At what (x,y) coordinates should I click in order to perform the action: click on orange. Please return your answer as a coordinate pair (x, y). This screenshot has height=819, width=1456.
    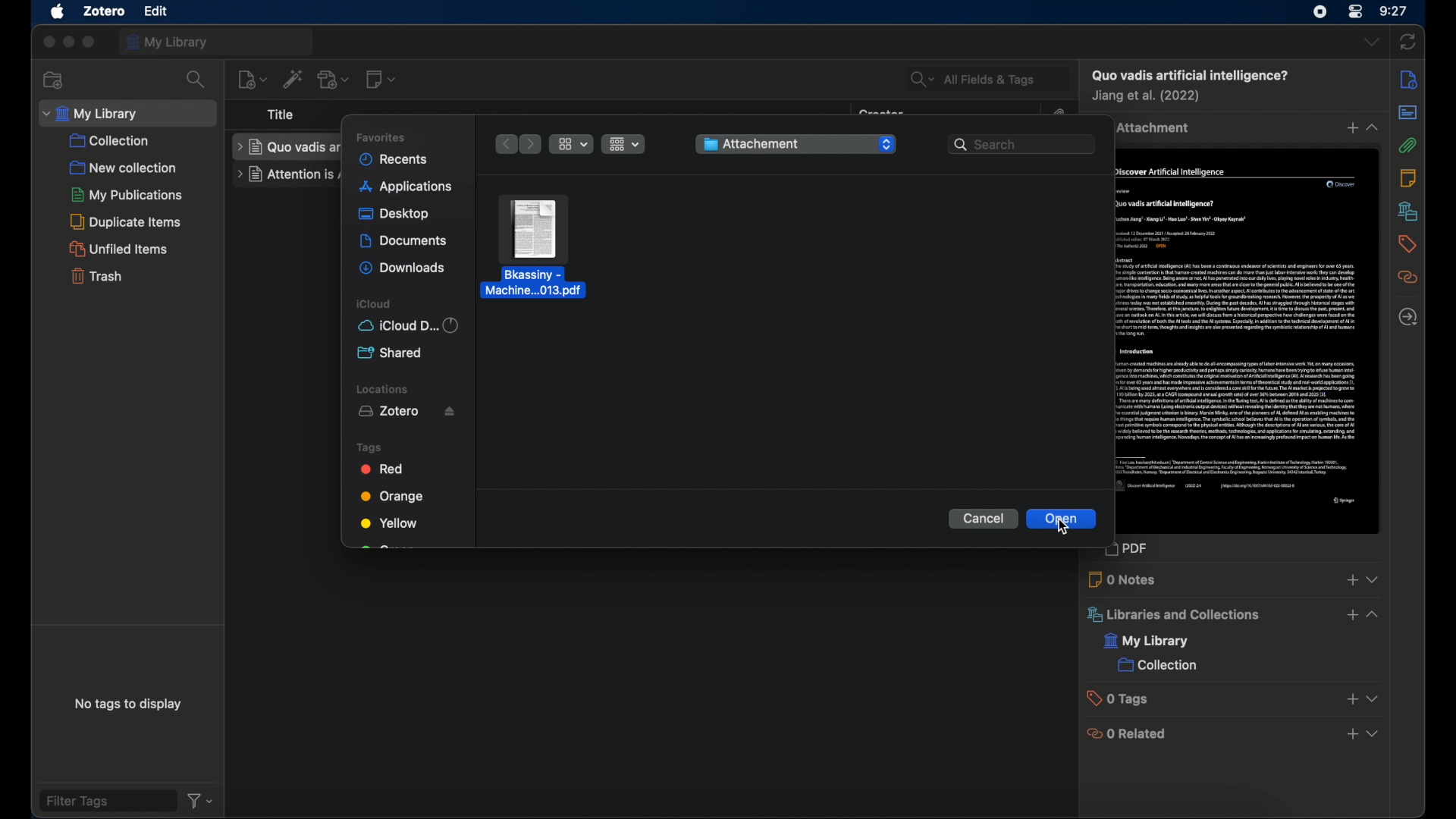
    Looking at the image, I should click on (396, 496).